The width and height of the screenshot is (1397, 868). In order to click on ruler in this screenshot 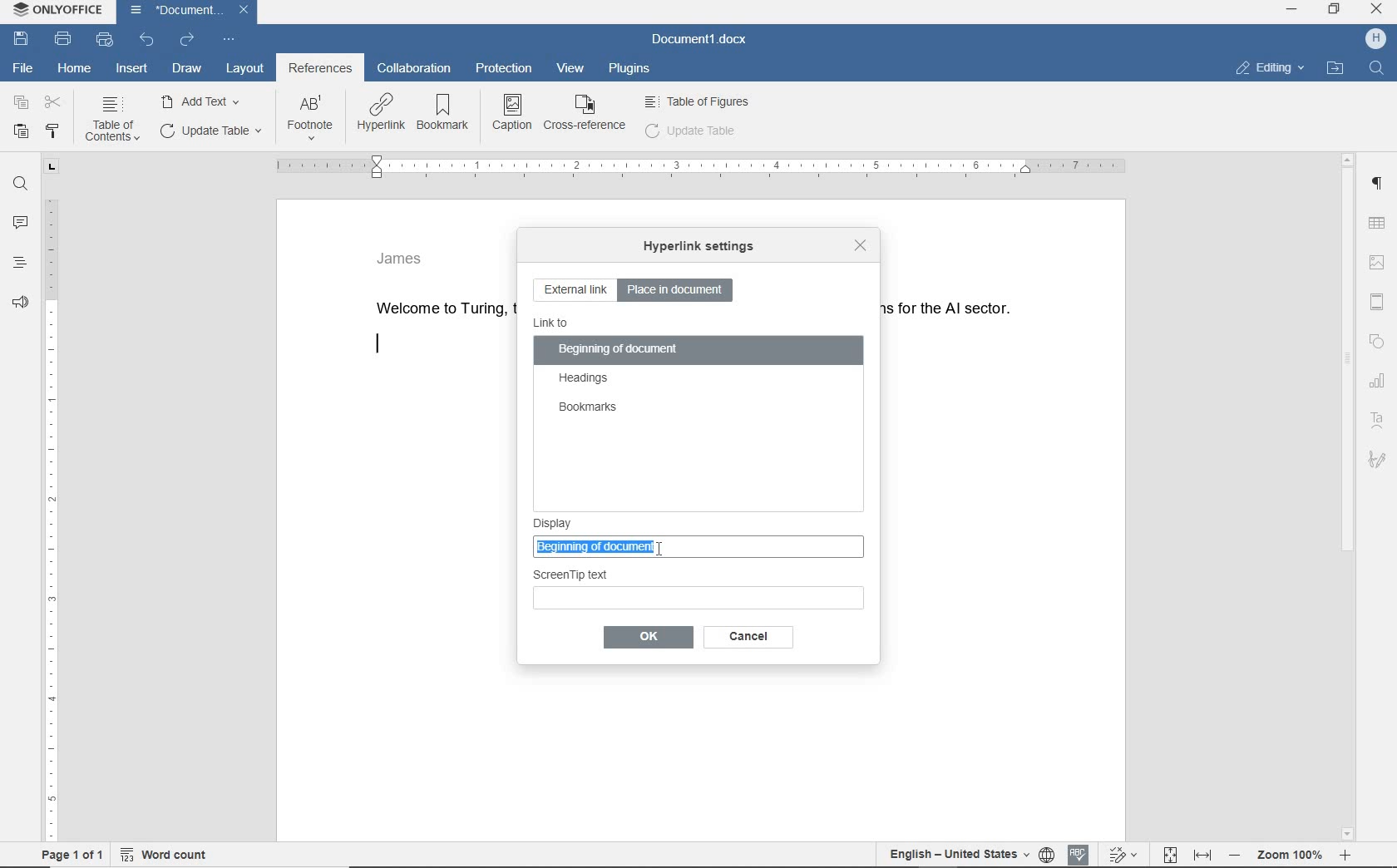, I will do `click(698, 167)`.